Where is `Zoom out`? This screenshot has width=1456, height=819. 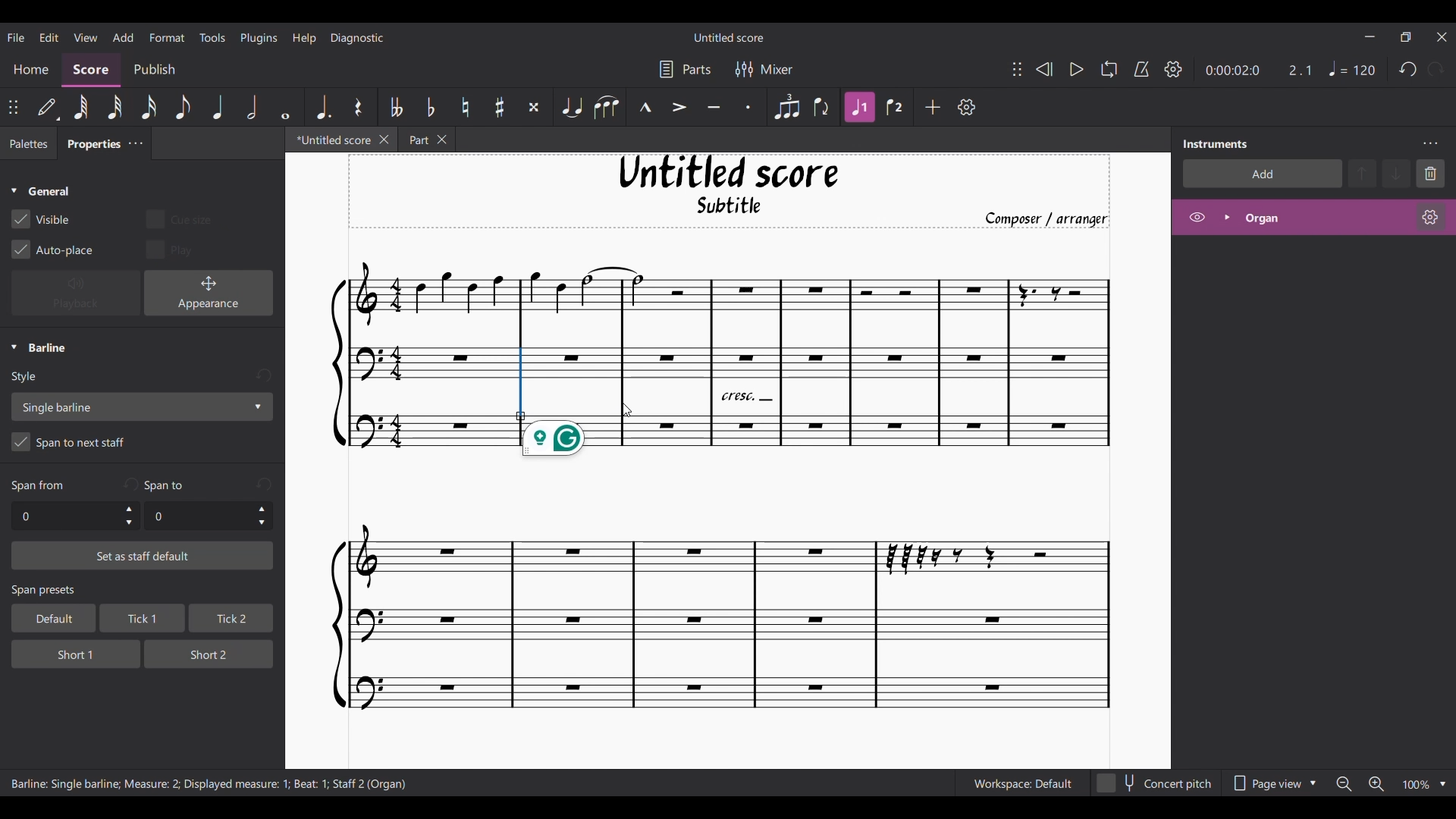 Zoom out is located at coordinates (1344, 784).